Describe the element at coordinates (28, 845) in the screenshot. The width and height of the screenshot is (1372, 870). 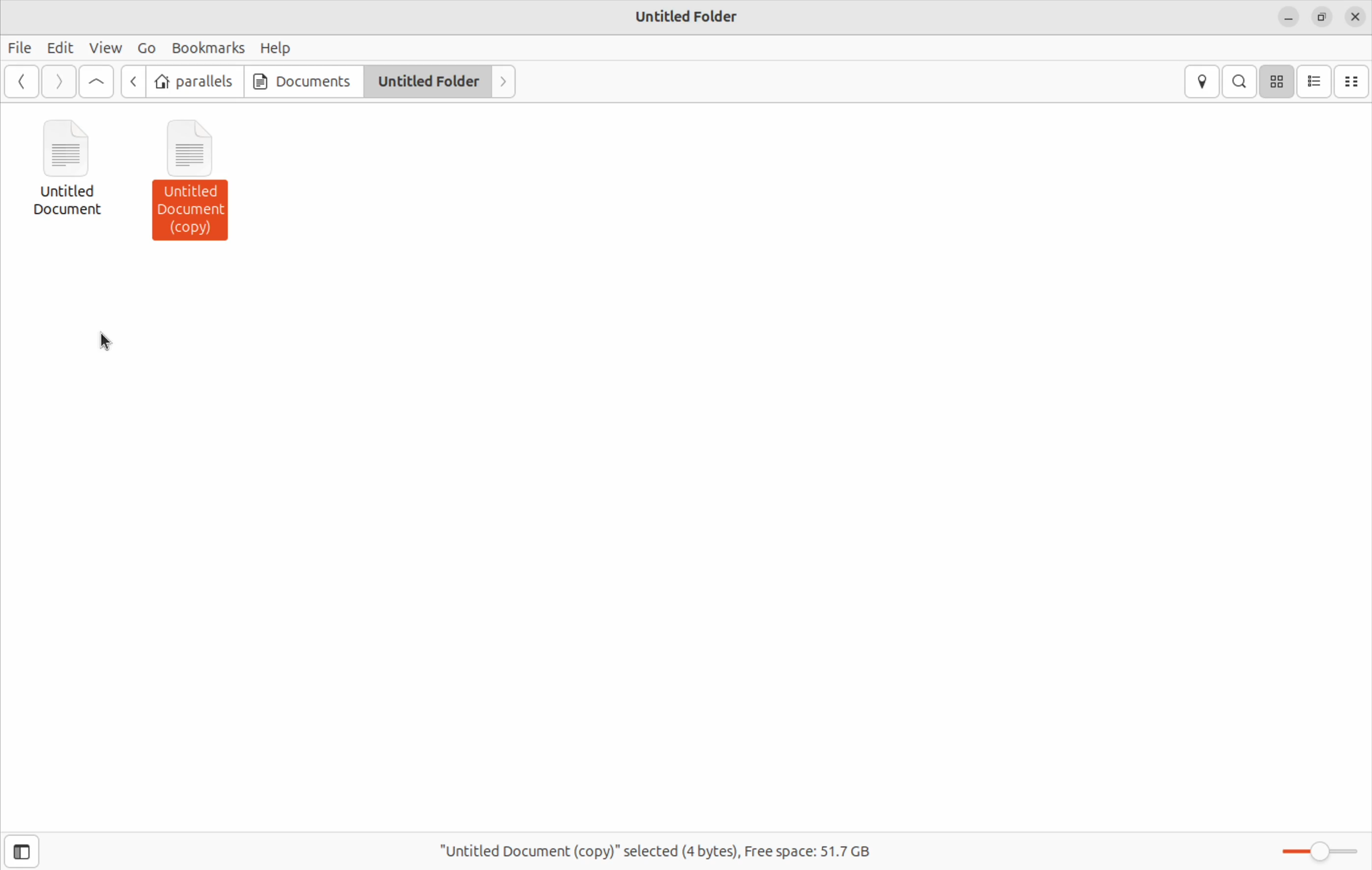
I see `sidebar` at that location.